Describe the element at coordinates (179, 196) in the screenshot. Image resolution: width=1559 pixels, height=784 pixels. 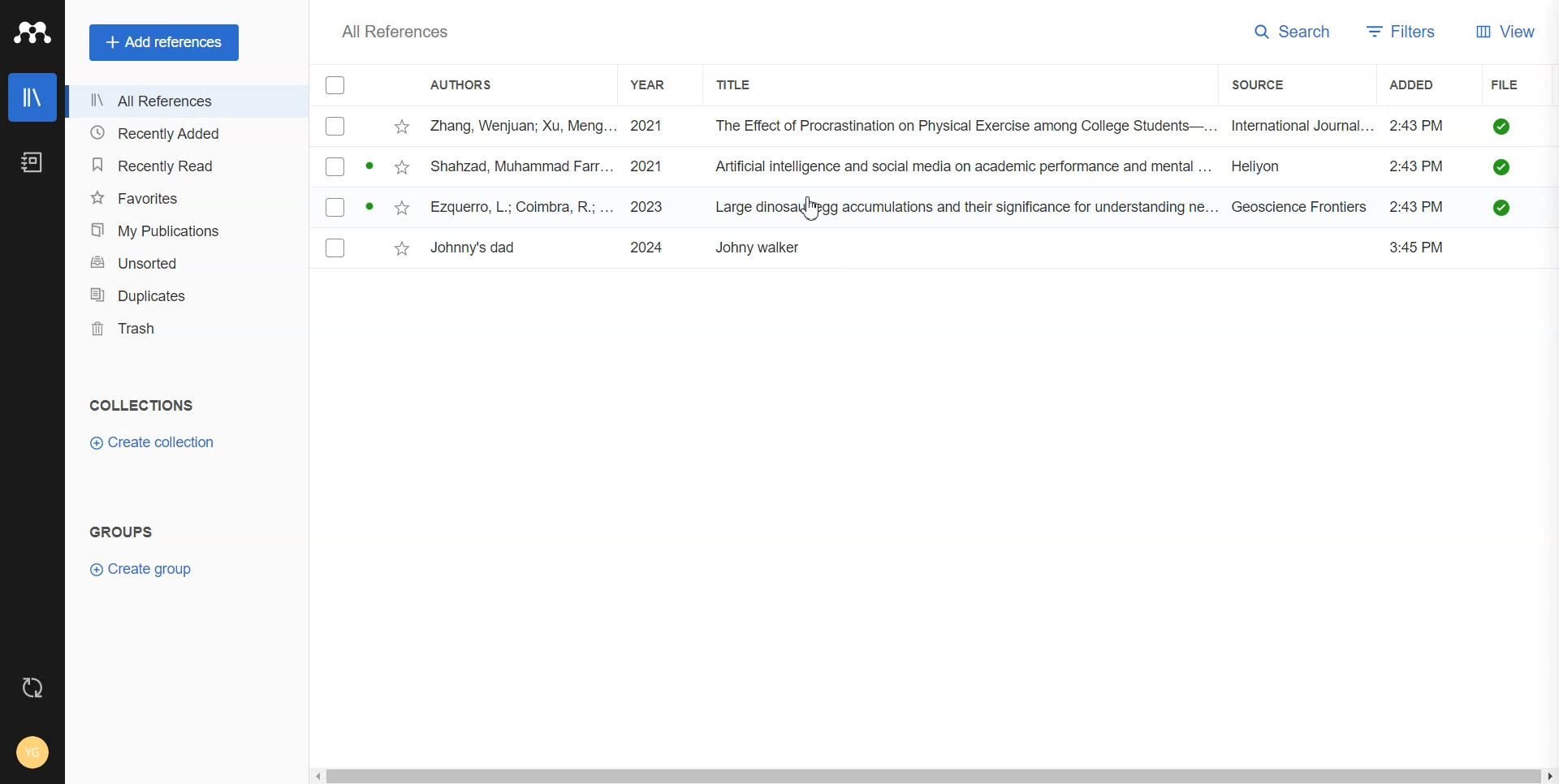
I see `Favorites` at that location.